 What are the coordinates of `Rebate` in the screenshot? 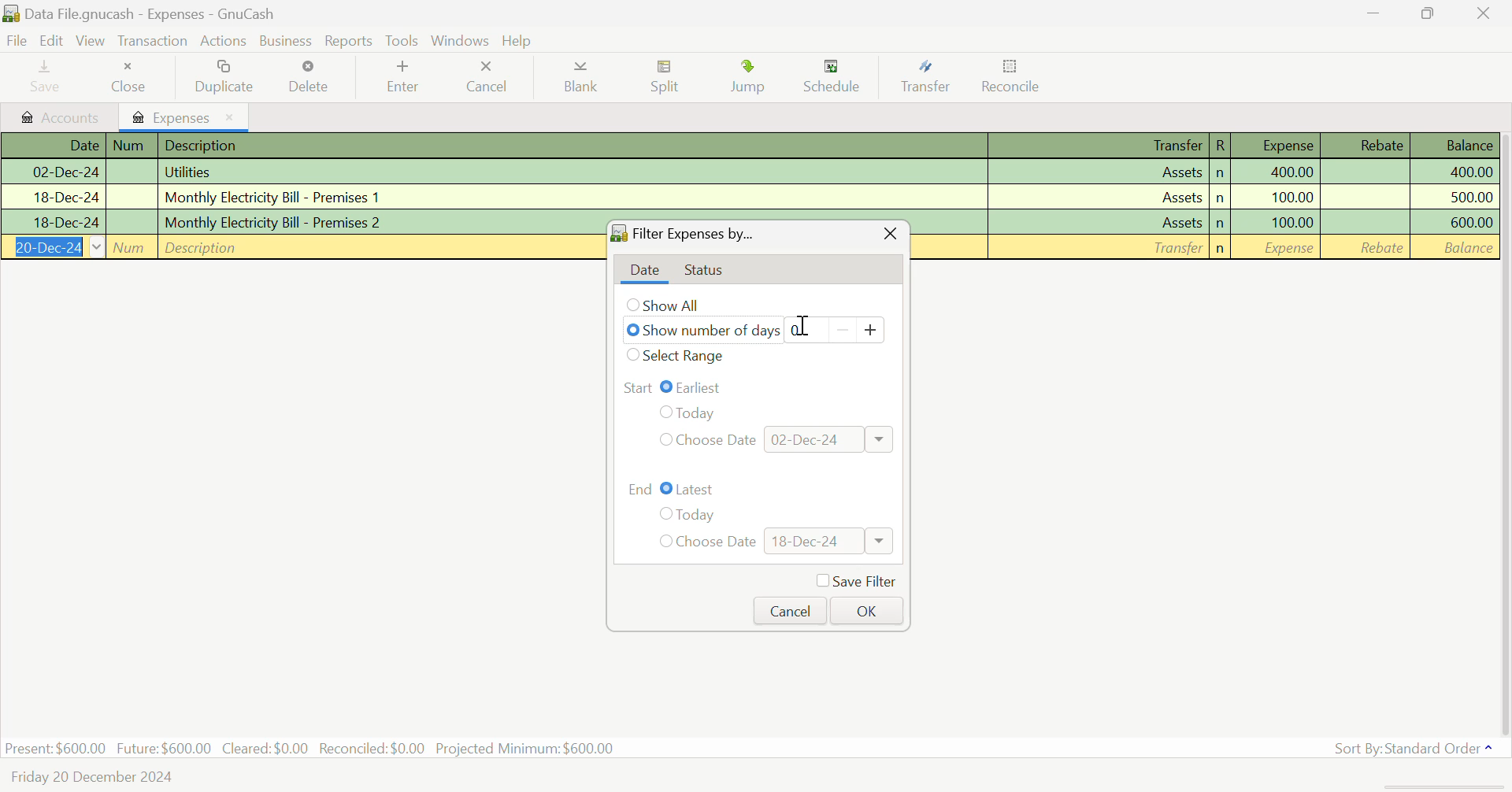 It's located at (1365, 196).